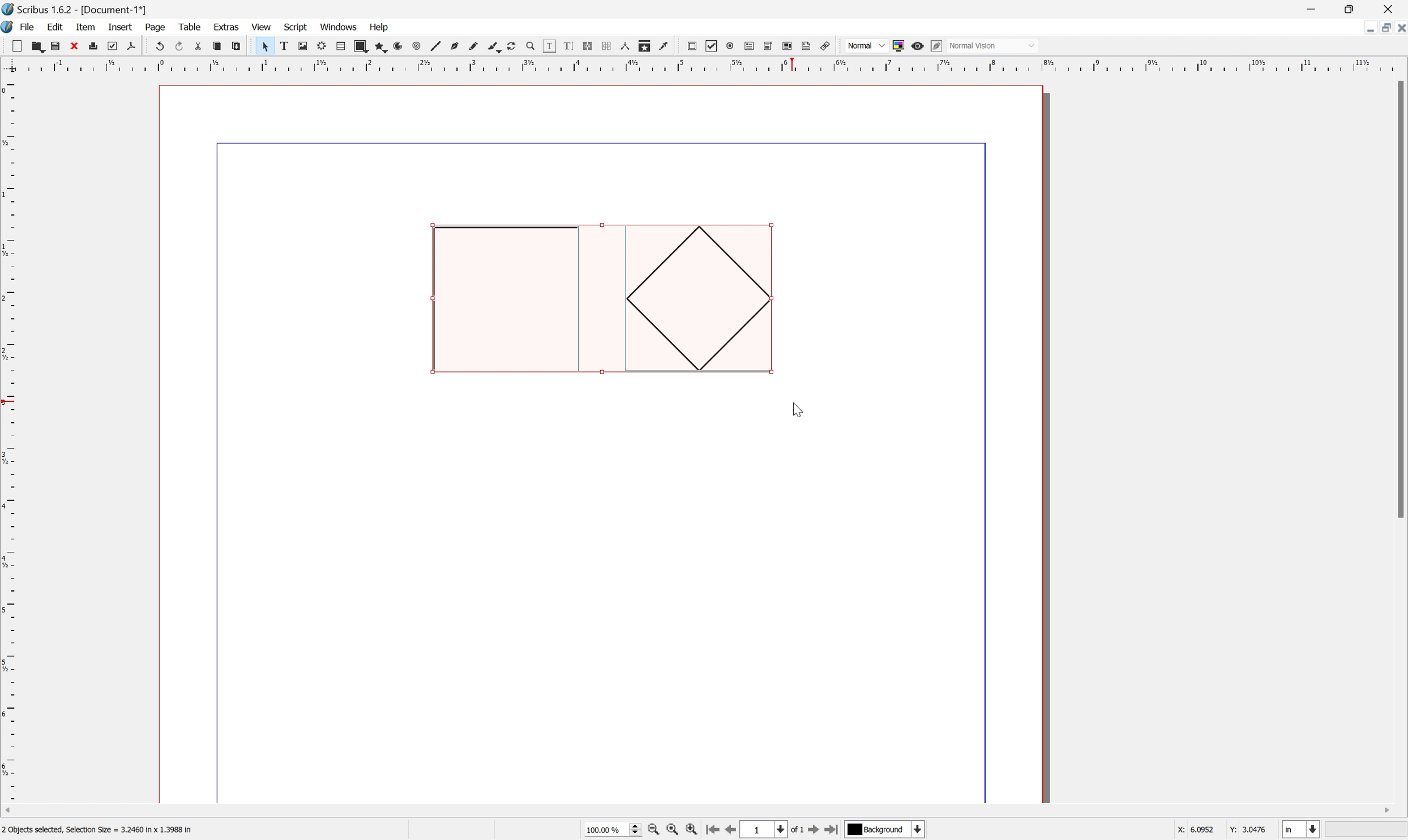 This screenshot has height=840, width=1408. What do you see at coordinates (52, 44) in the screenshot?
I see `save` at bounding box center [52, 44].